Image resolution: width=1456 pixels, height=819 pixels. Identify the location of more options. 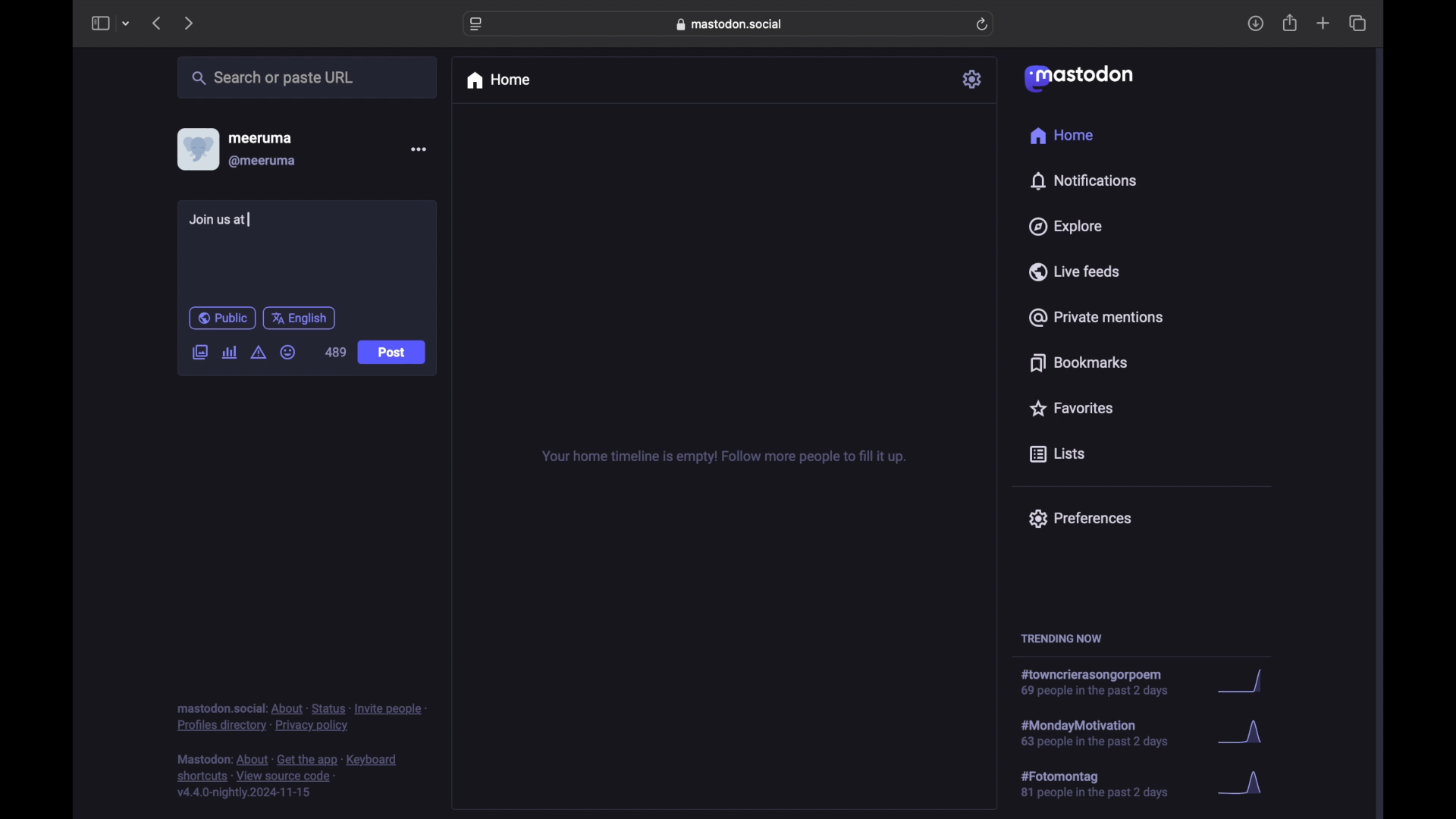
(419, 149).